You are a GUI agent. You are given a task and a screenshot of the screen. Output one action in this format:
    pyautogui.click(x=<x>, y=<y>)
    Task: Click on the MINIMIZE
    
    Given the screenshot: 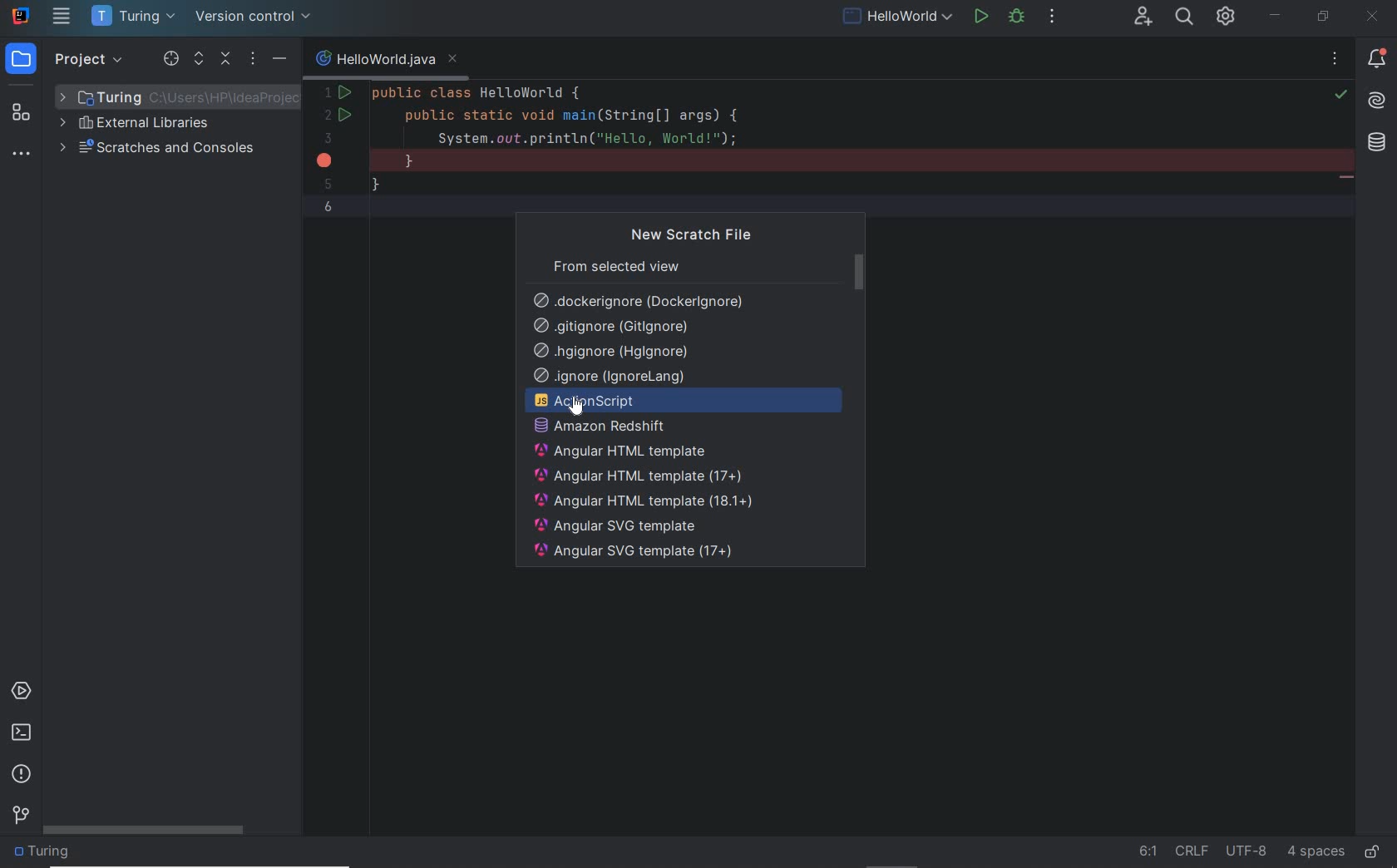 What is the action you would take?
    pyautogui.click(x=1277, y=16)
    